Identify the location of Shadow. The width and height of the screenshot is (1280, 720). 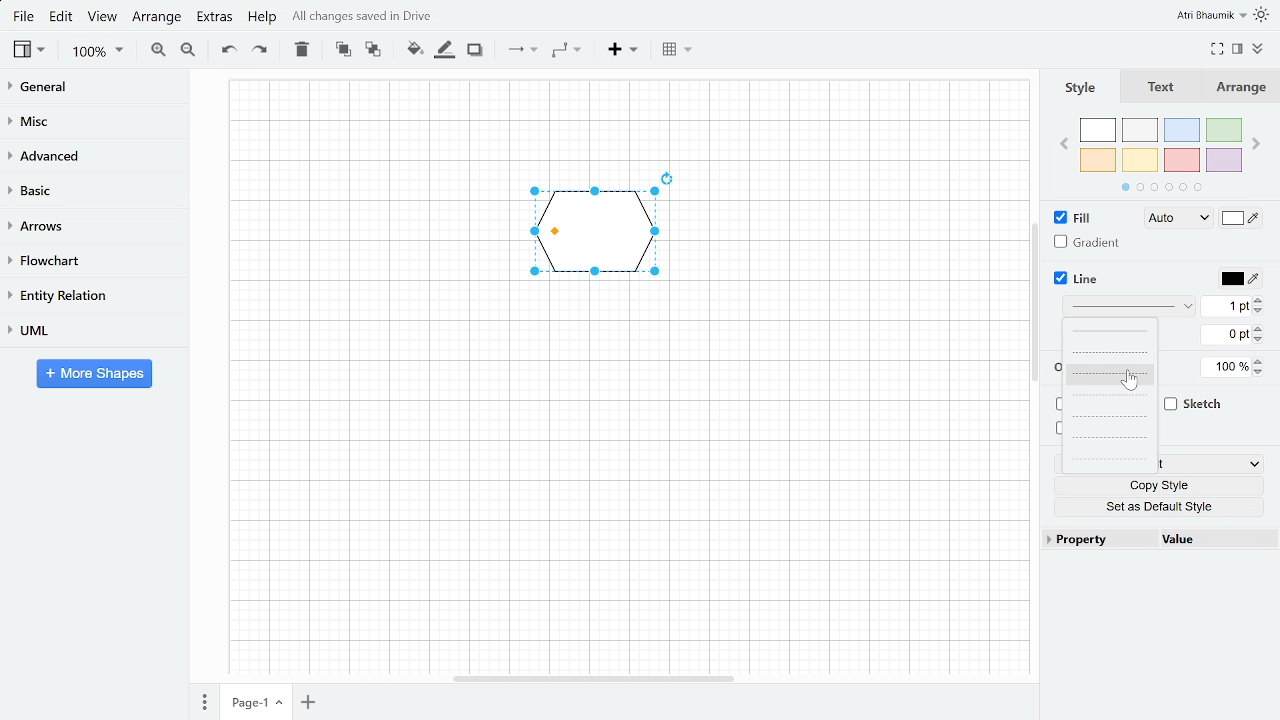
(478, 50).